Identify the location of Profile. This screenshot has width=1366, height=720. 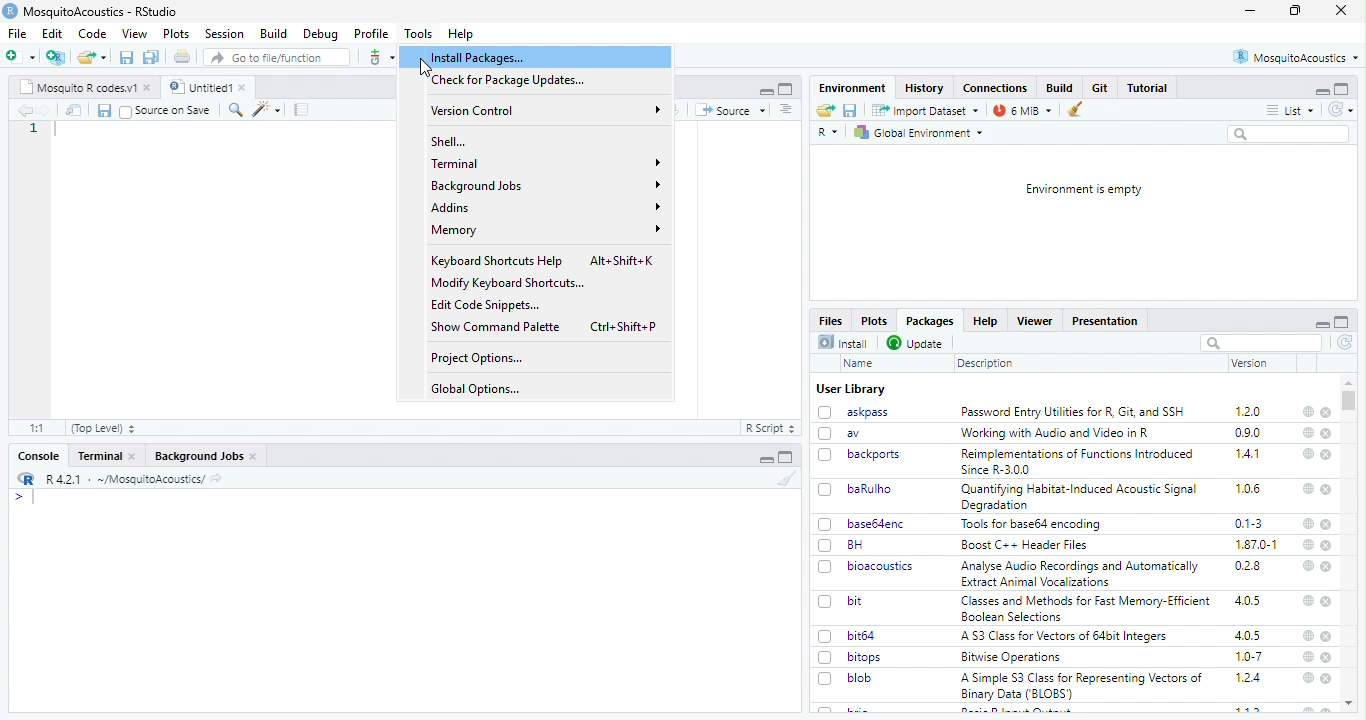
(373, 34).